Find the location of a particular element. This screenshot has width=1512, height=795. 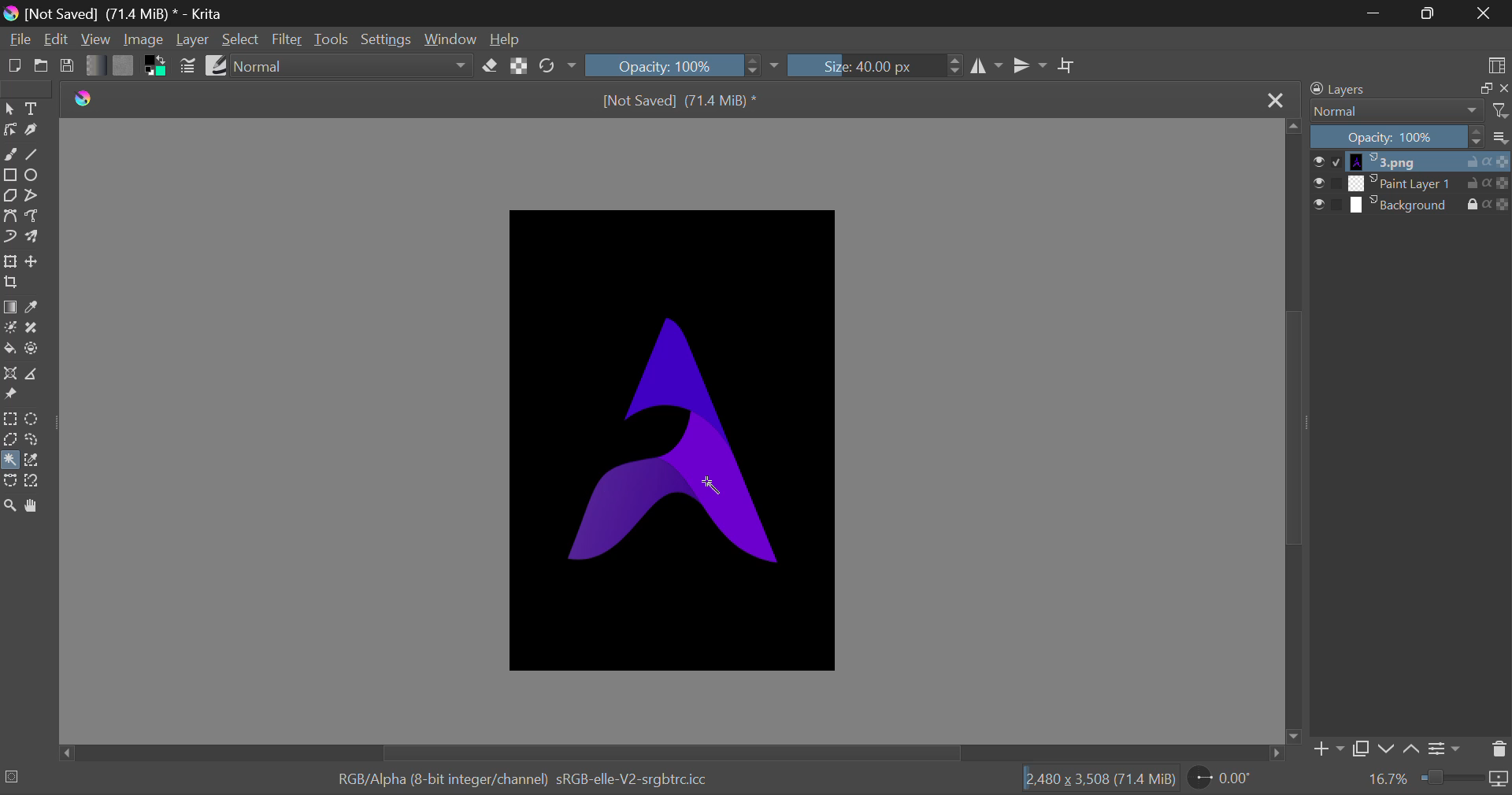

Rectangle is located at coordinates (13, 175).